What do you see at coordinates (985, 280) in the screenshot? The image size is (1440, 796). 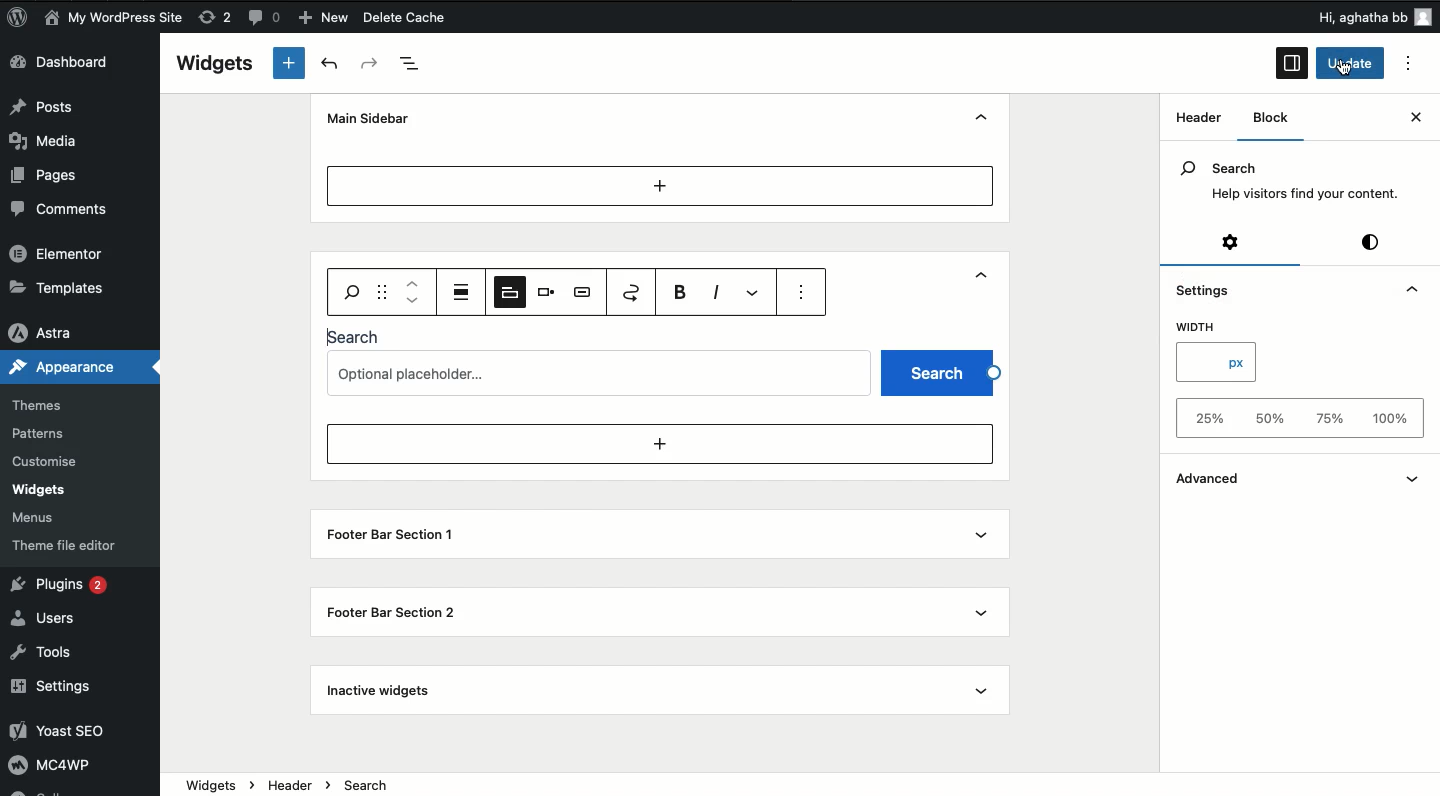 I see `Show` at bounding box center [985, 280].